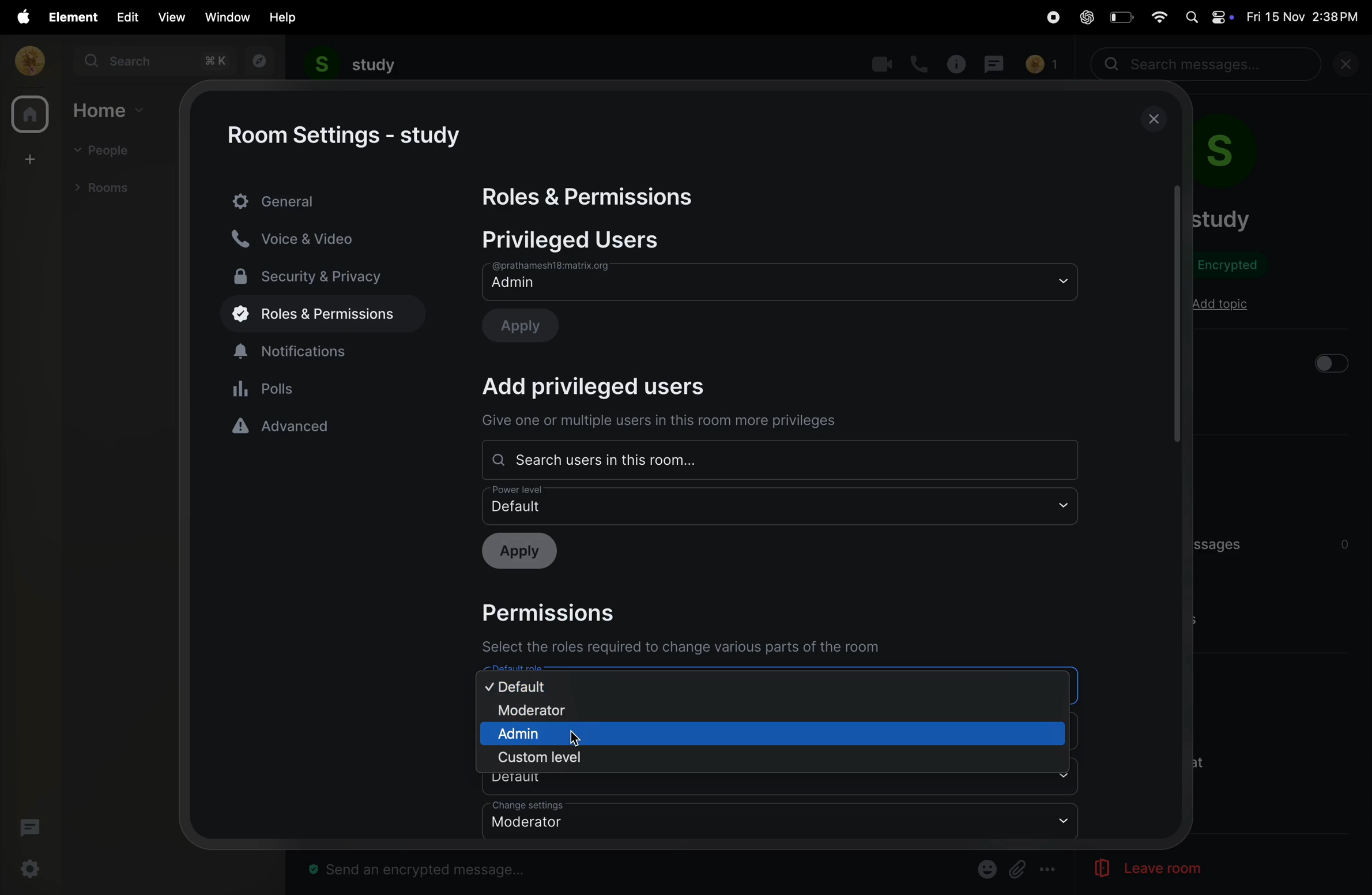 The width and height of the screenshot is (1372, 895). What do you see at coordinates (325, 349) in the screenshot?
I see `notifications` at bounding box center [325, 349].